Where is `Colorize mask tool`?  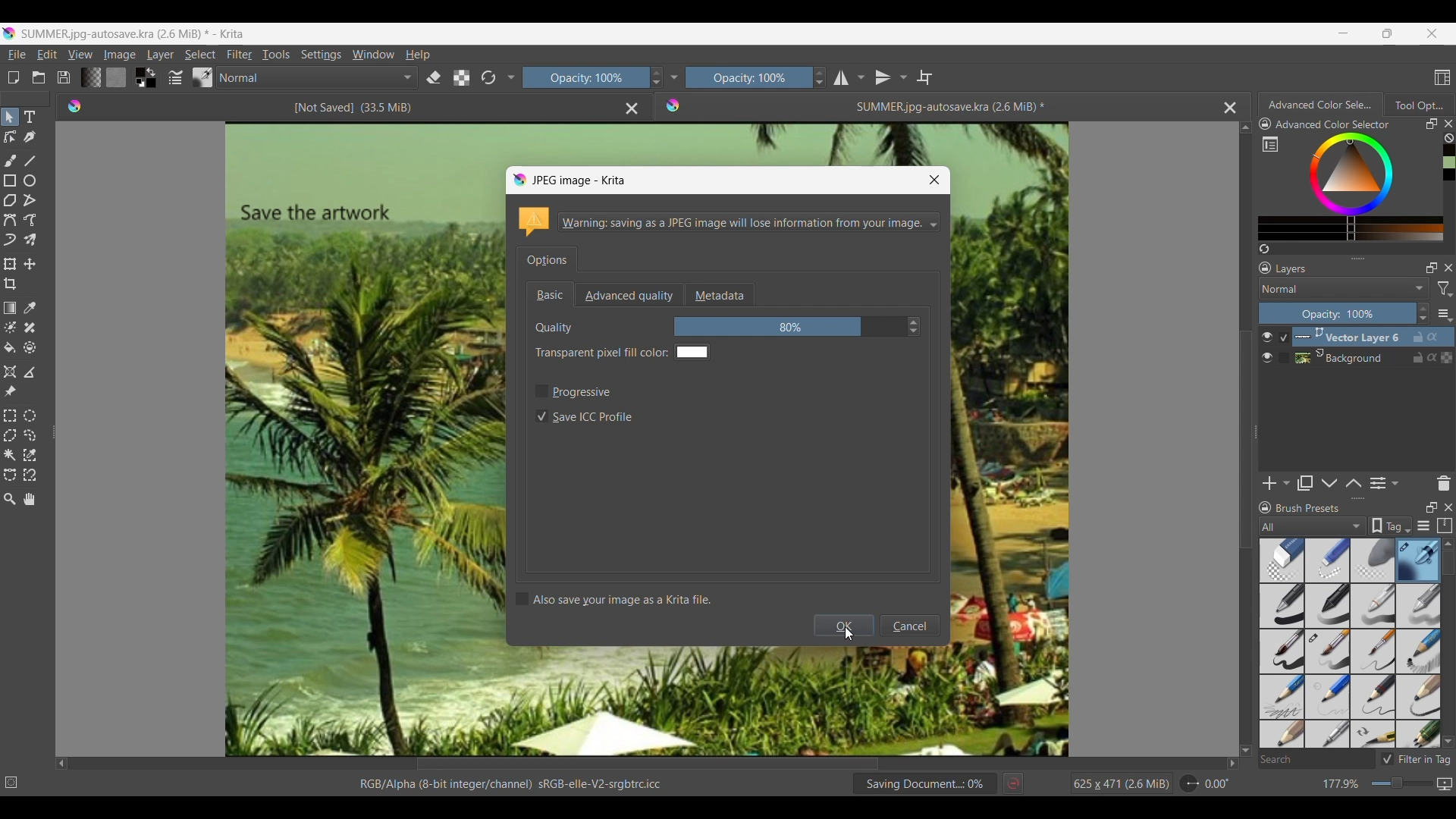 Colorize mask tool is located at coordinates (10, 327).